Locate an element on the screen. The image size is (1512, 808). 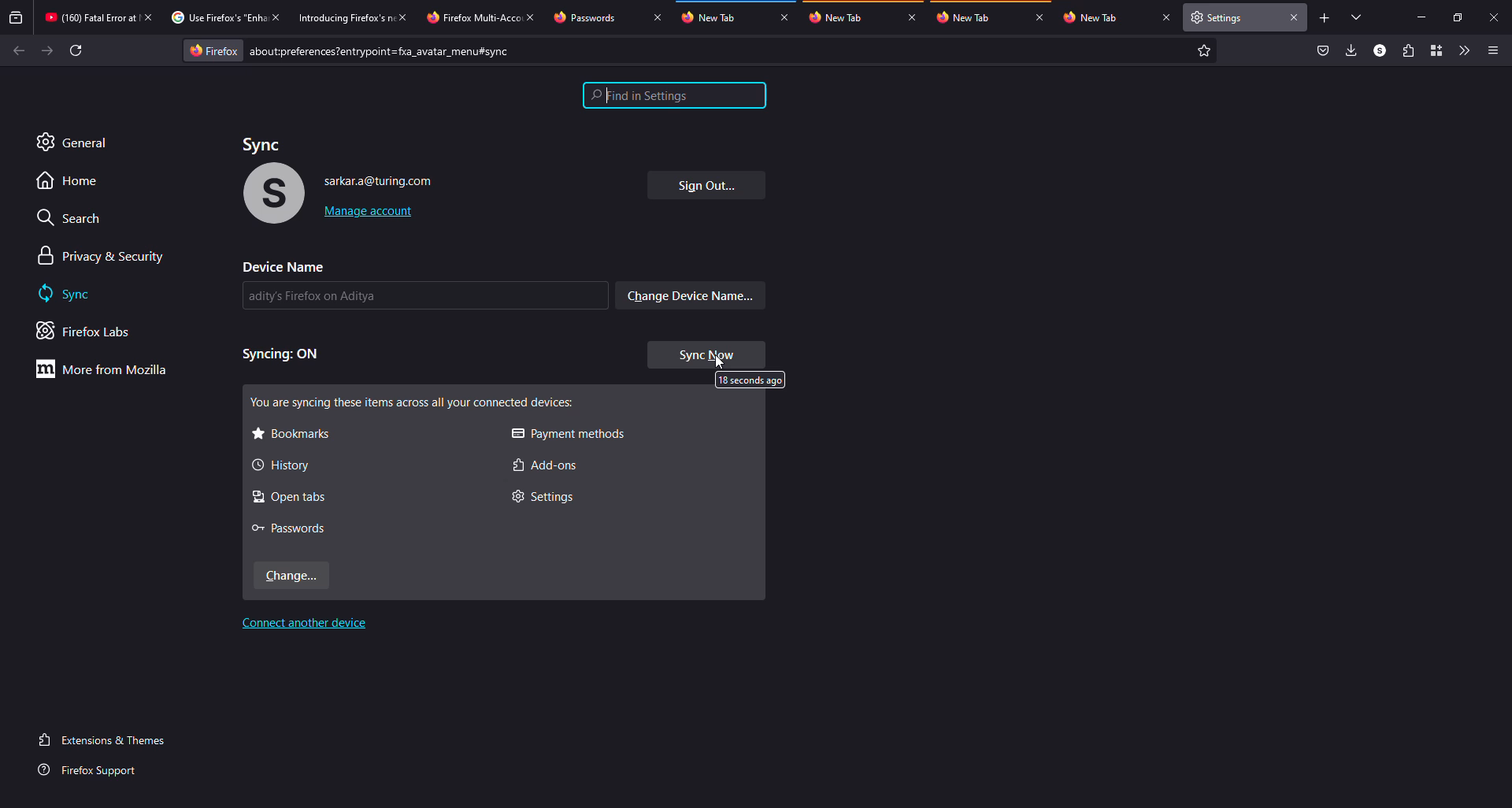
history is located at coordinates (283, 464).